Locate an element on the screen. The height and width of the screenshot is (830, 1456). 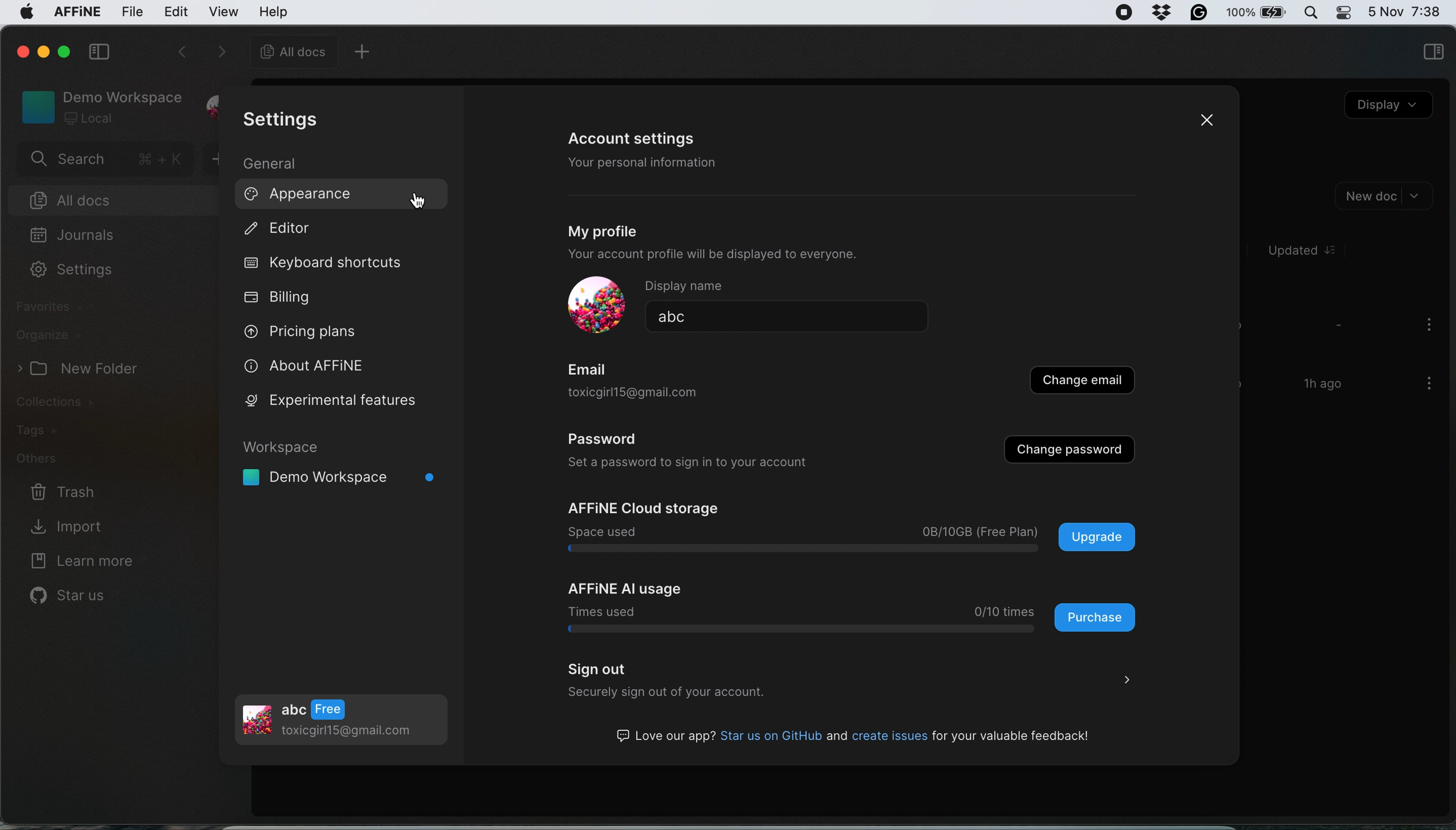
editor is located at coordinates (283, 231).